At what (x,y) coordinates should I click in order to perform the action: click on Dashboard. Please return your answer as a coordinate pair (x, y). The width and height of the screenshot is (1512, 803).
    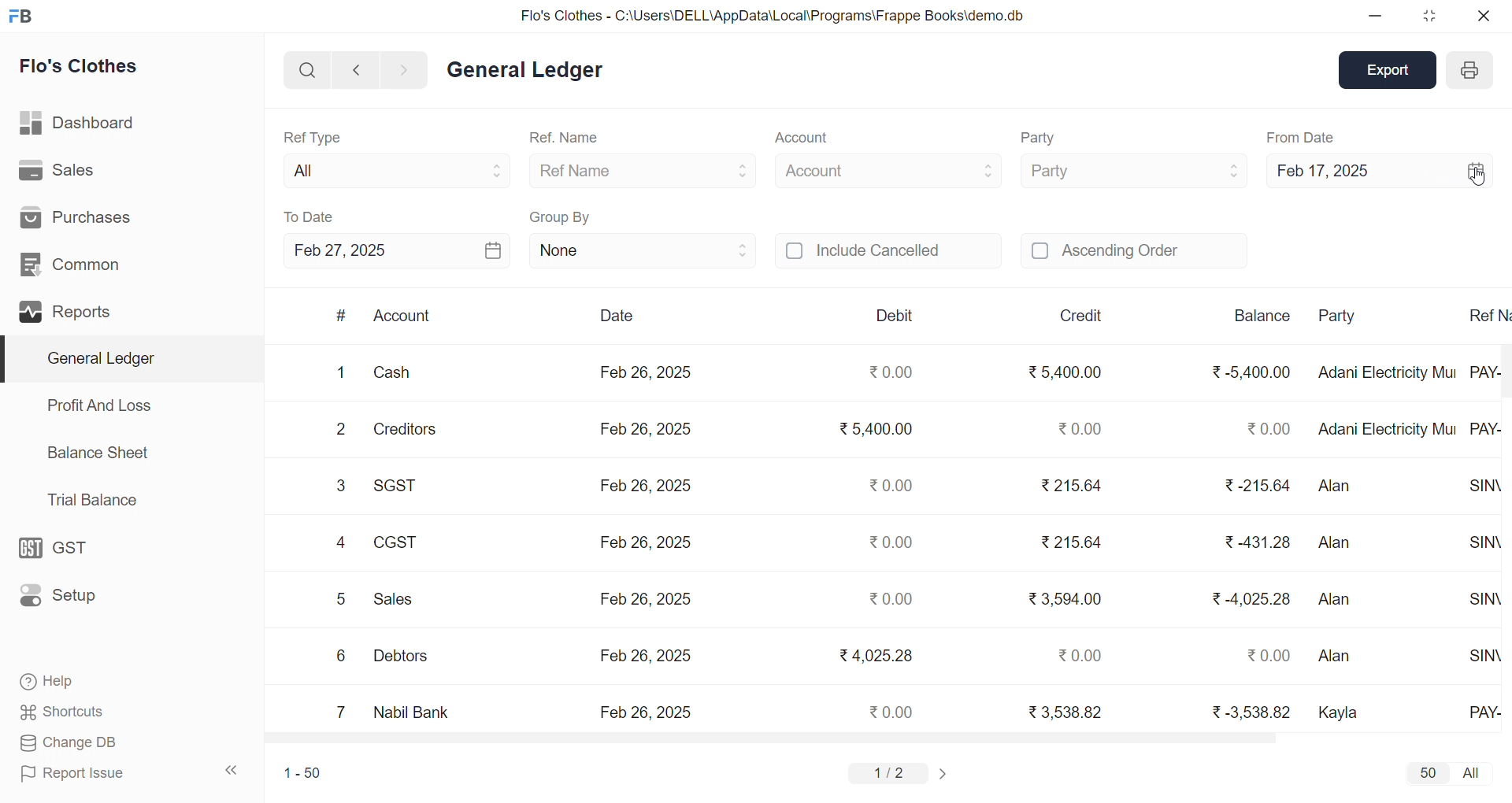
    Looking at the image, I should click on (75, 120).